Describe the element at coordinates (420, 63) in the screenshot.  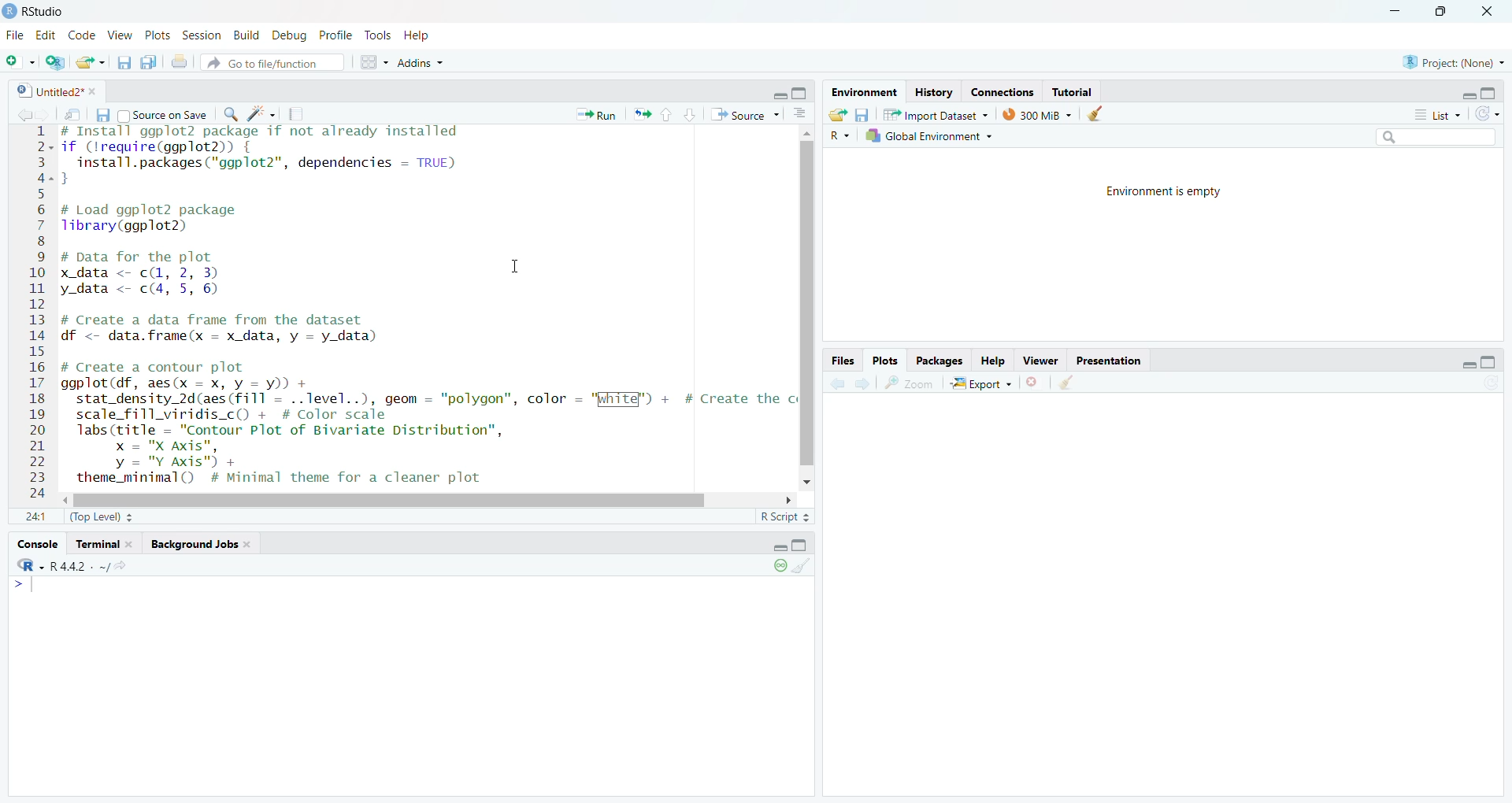
I see `Addins ` at that location.